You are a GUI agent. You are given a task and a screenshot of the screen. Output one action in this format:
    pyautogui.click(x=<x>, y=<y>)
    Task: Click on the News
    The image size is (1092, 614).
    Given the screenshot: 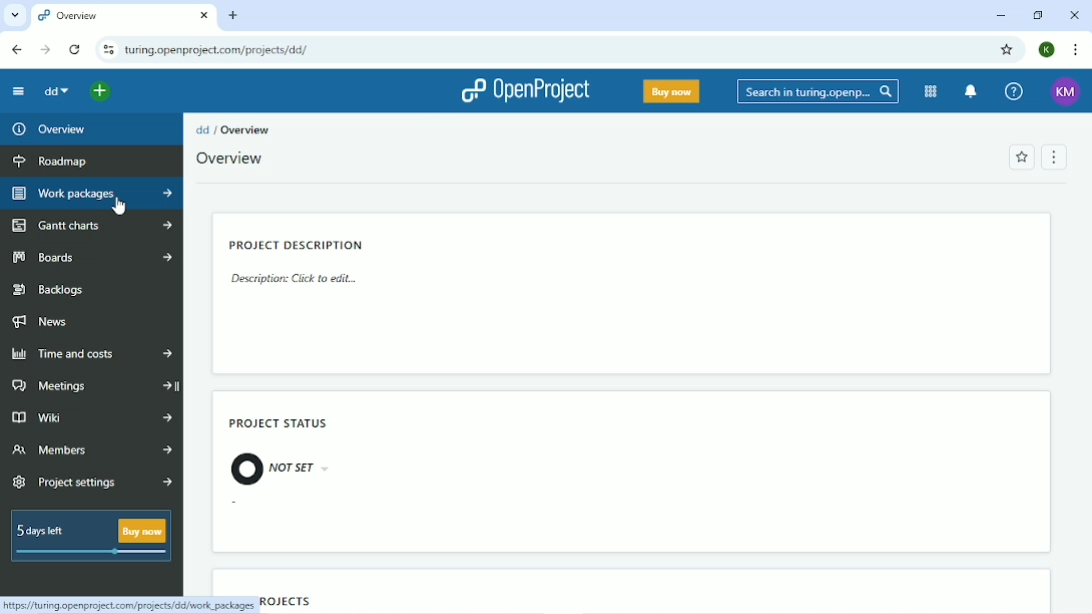 What is the action you would take?
    pyautogui.click(x=44, y=322)
    